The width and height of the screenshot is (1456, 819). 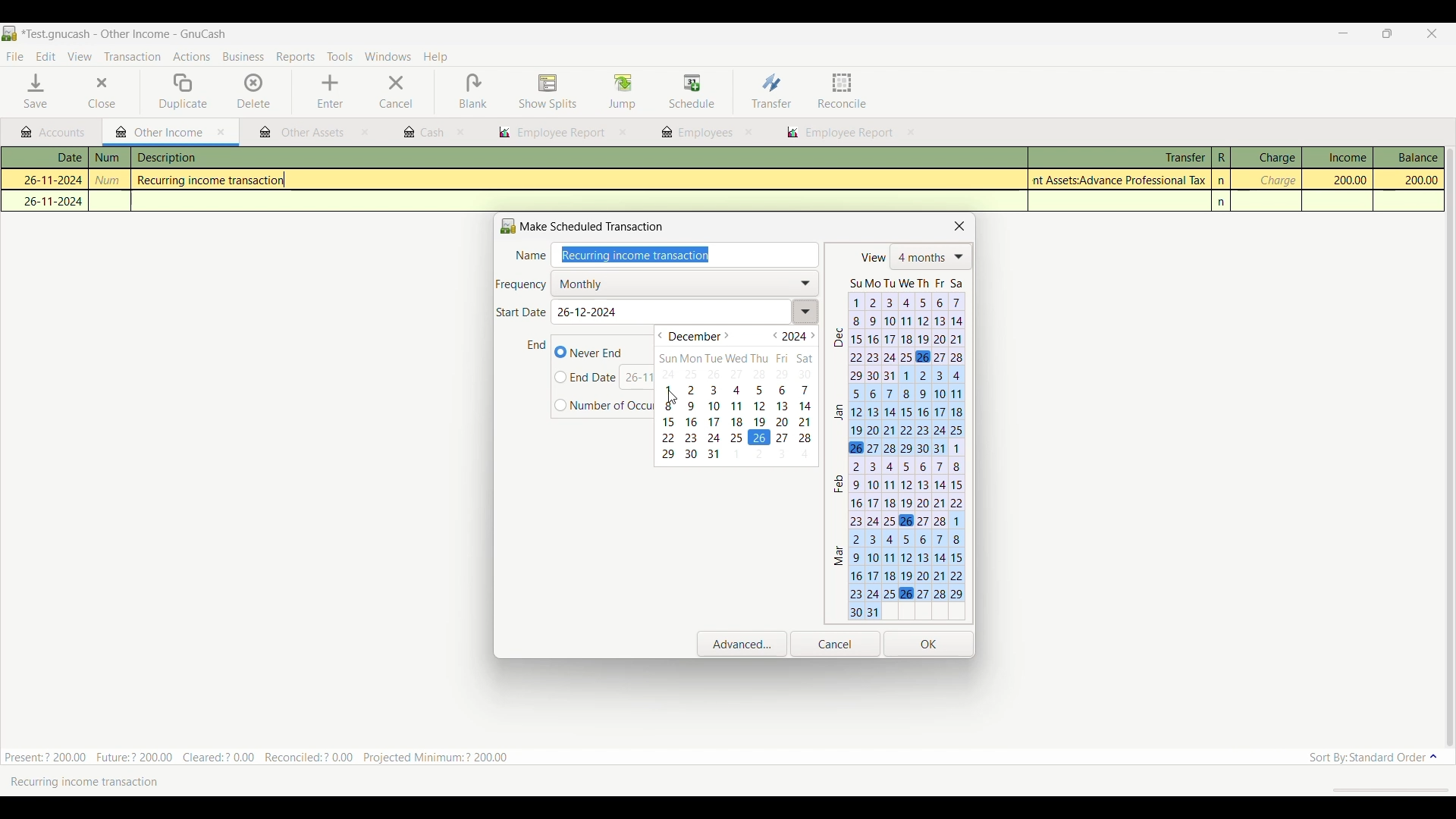 I want to click on close, so click(x=623, y=133).